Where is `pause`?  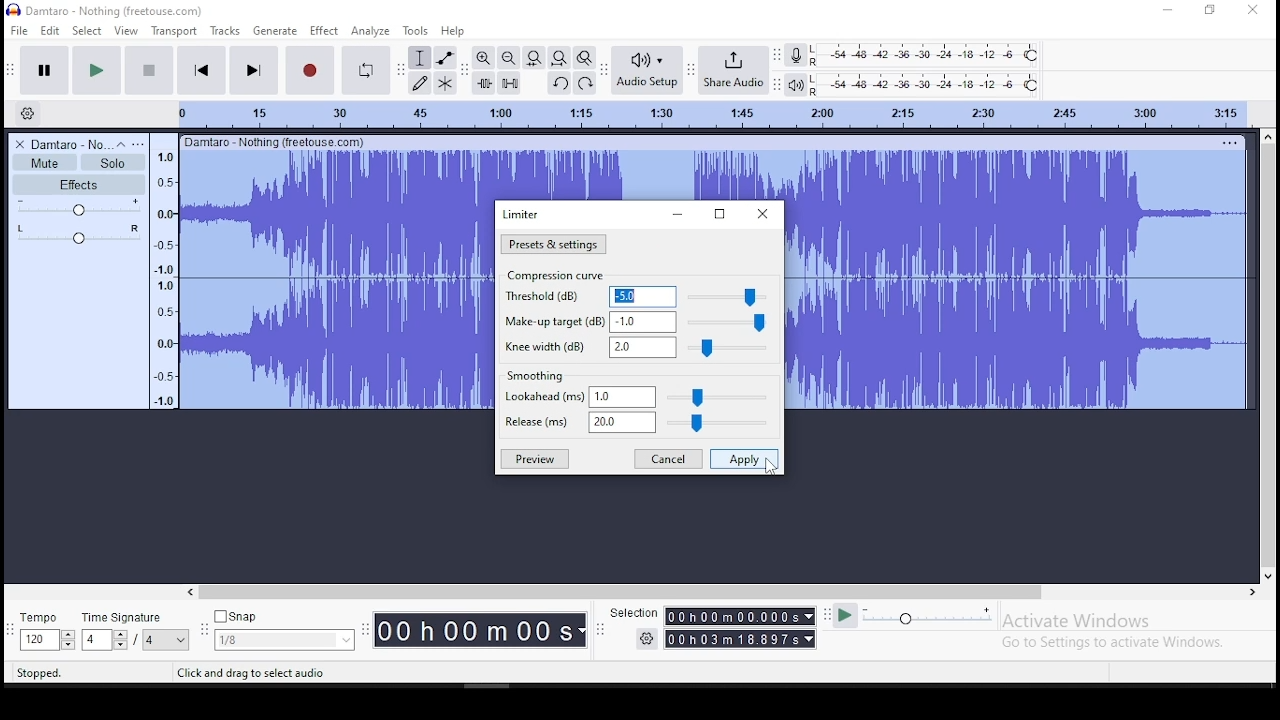 pause is located at coordinates (44, 69).